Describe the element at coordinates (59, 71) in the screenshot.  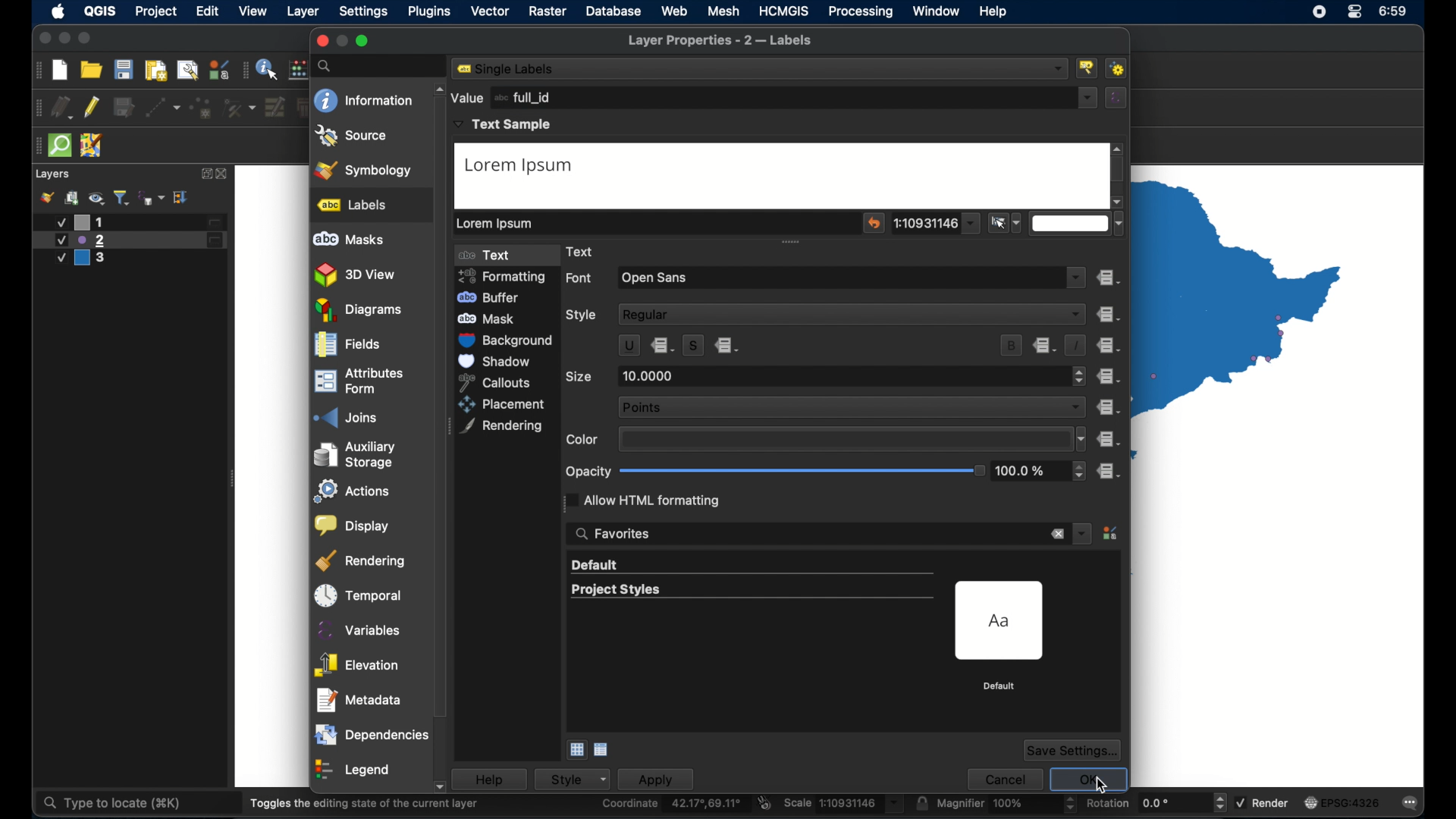
I see `new` at that location.